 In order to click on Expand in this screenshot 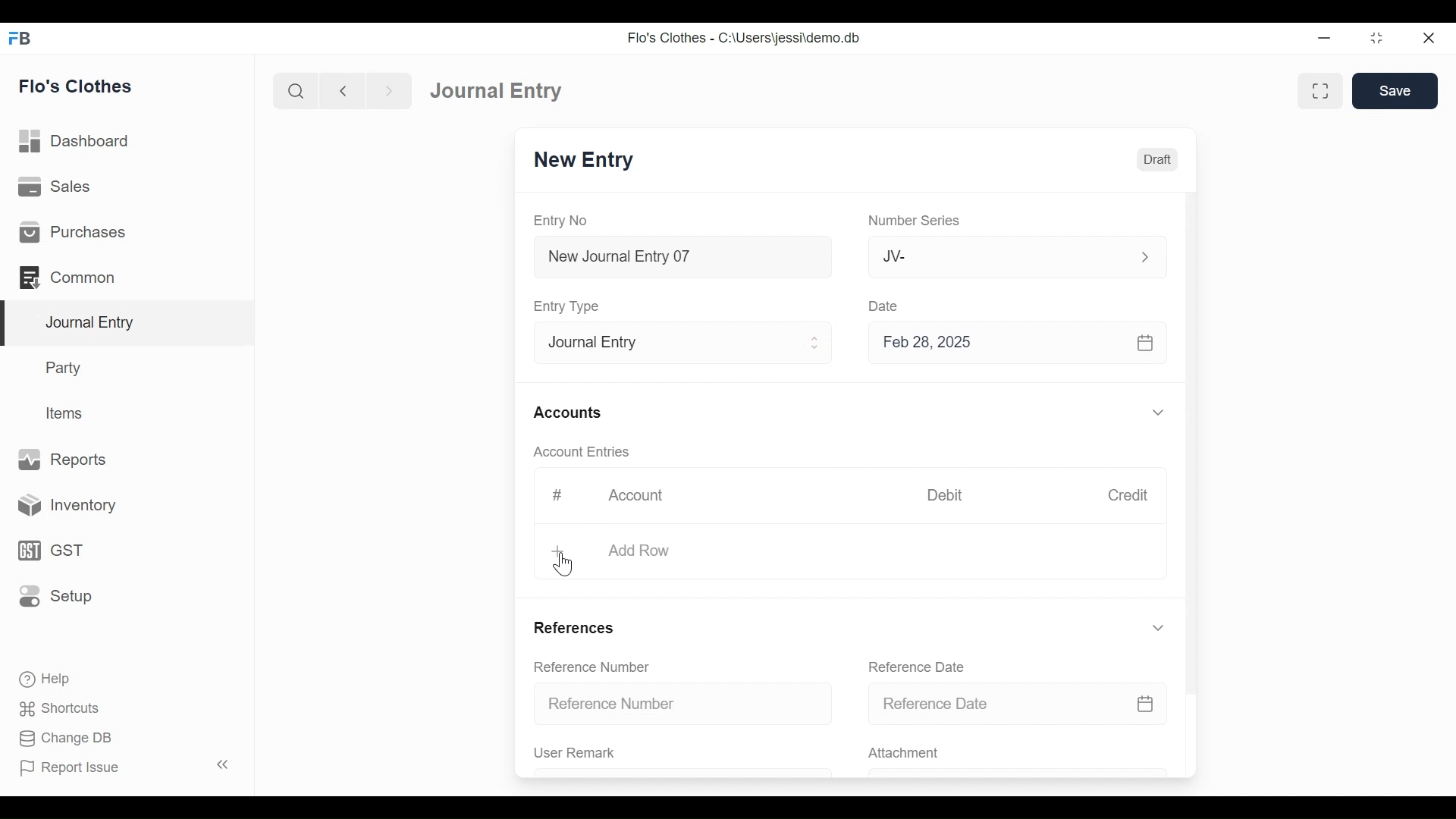, I will do `click(817, 343)`.